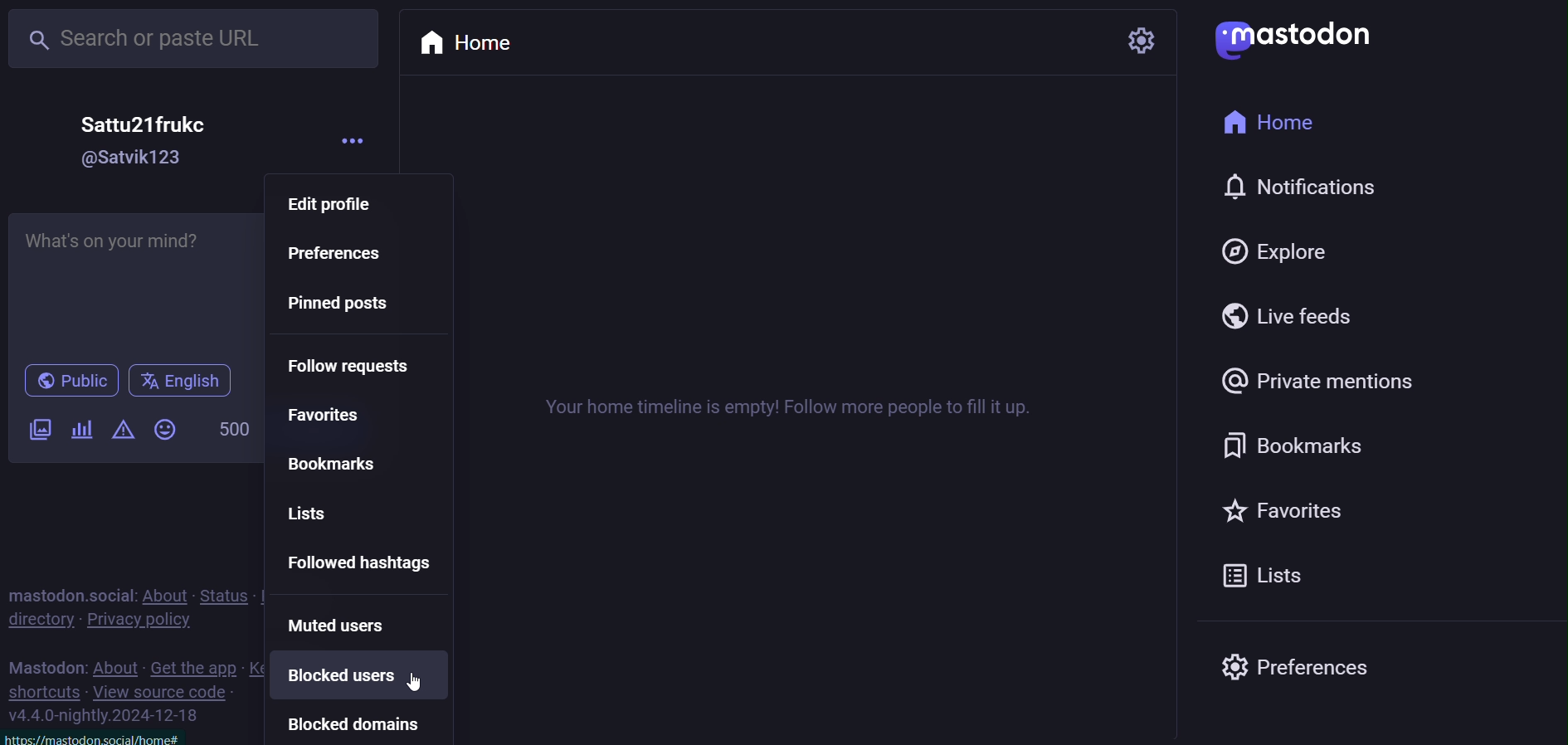  I want to click on preferences, so click(1300, 670).